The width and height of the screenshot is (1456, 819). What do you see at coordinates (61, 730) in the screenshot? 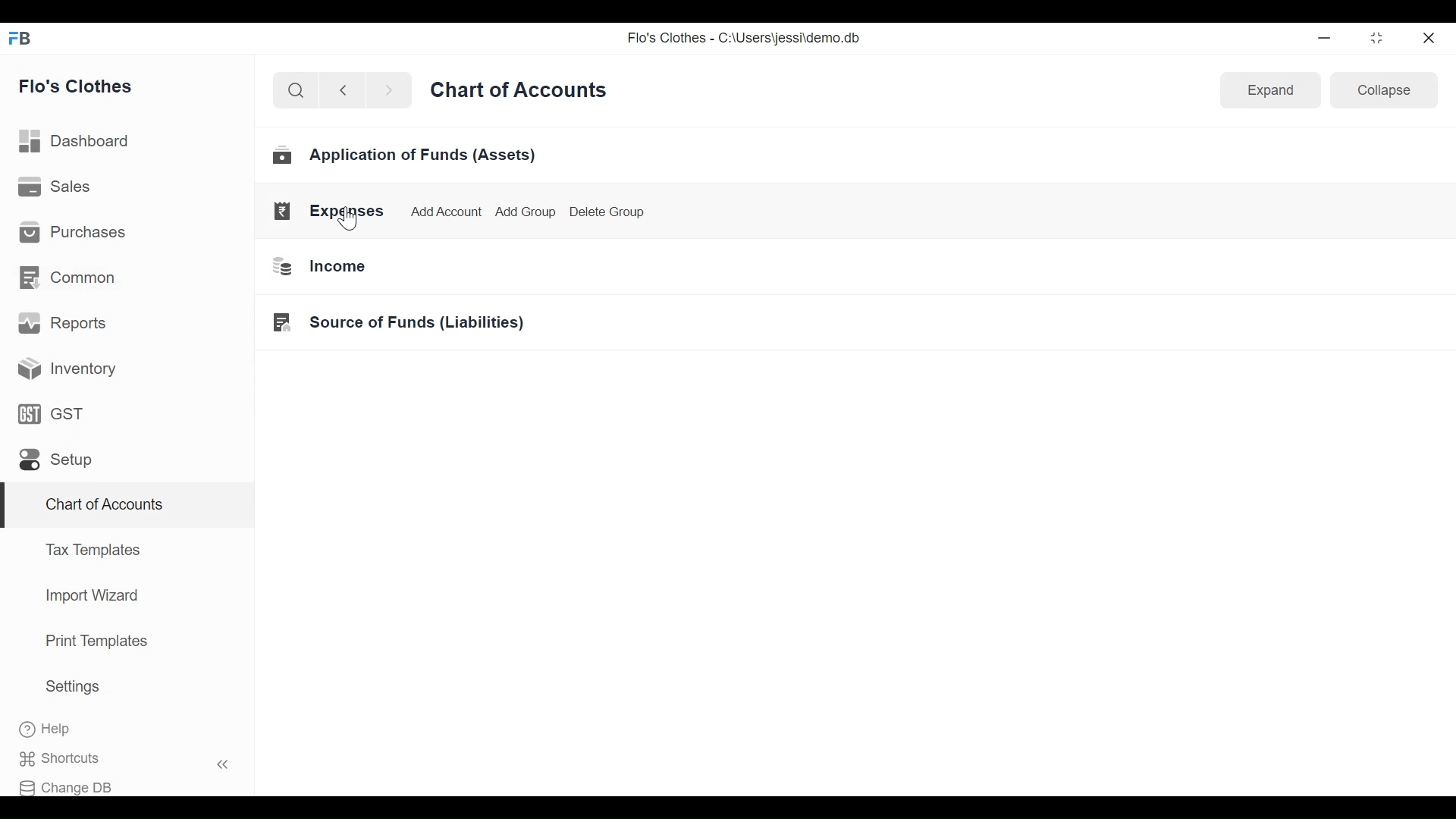
I see `Help` at bounding box center [61, 730].